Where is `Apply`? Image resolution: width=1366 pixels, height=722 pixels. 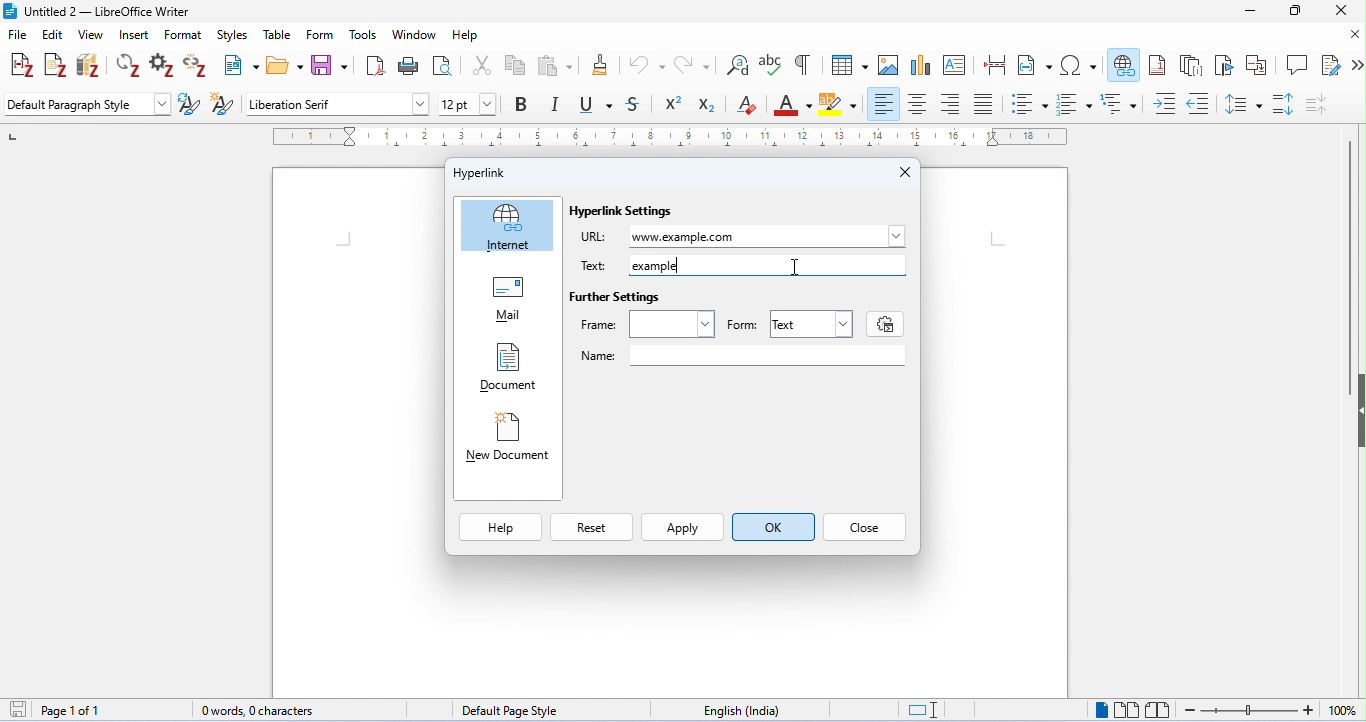 Apply is located at coordinates (686, 527).